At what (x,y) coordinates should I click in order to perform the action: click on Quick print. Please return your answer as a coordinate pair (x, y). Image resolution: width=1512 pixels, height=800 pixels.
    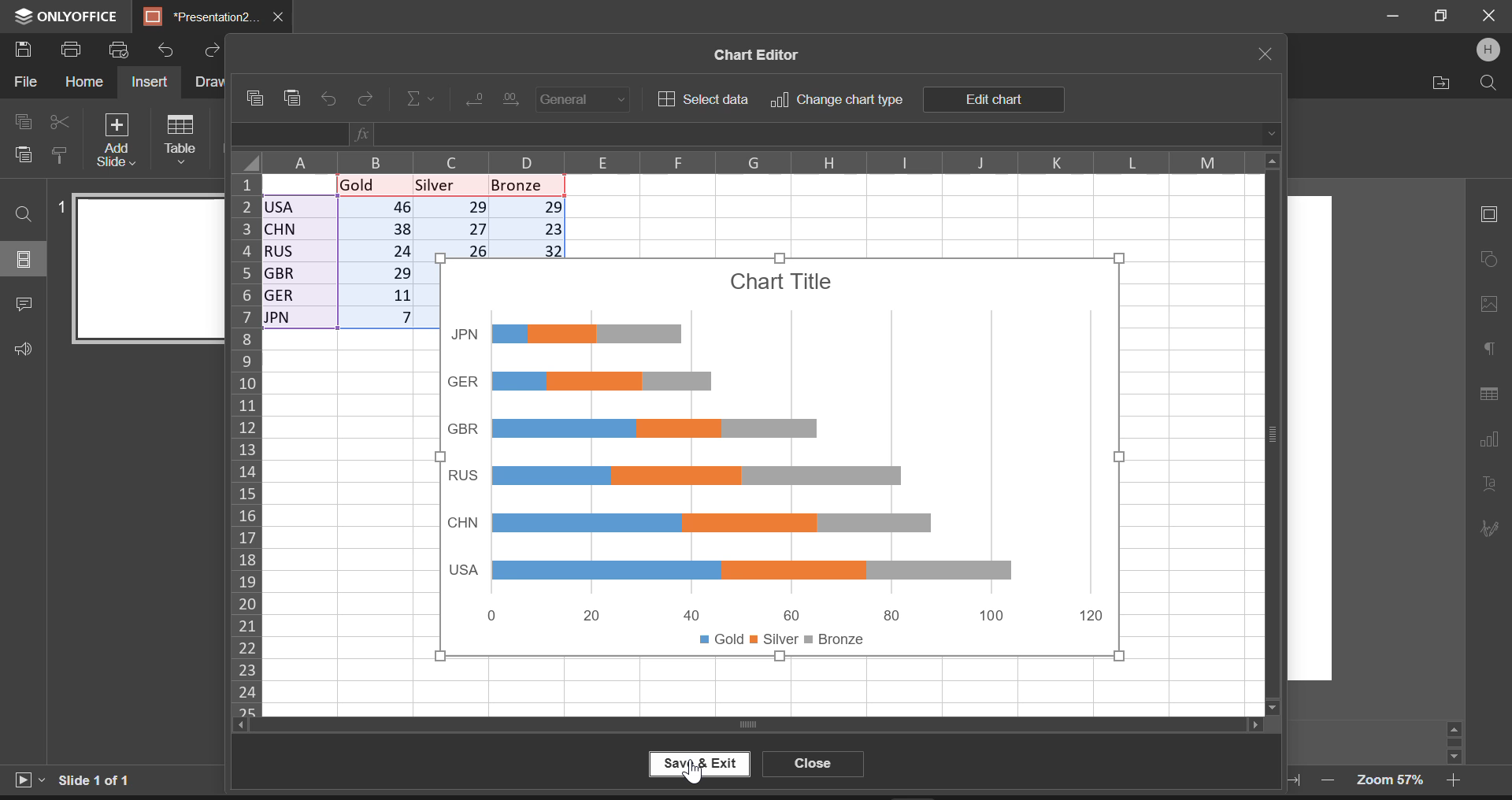
    Looking at the image, I should click on (120, 51).